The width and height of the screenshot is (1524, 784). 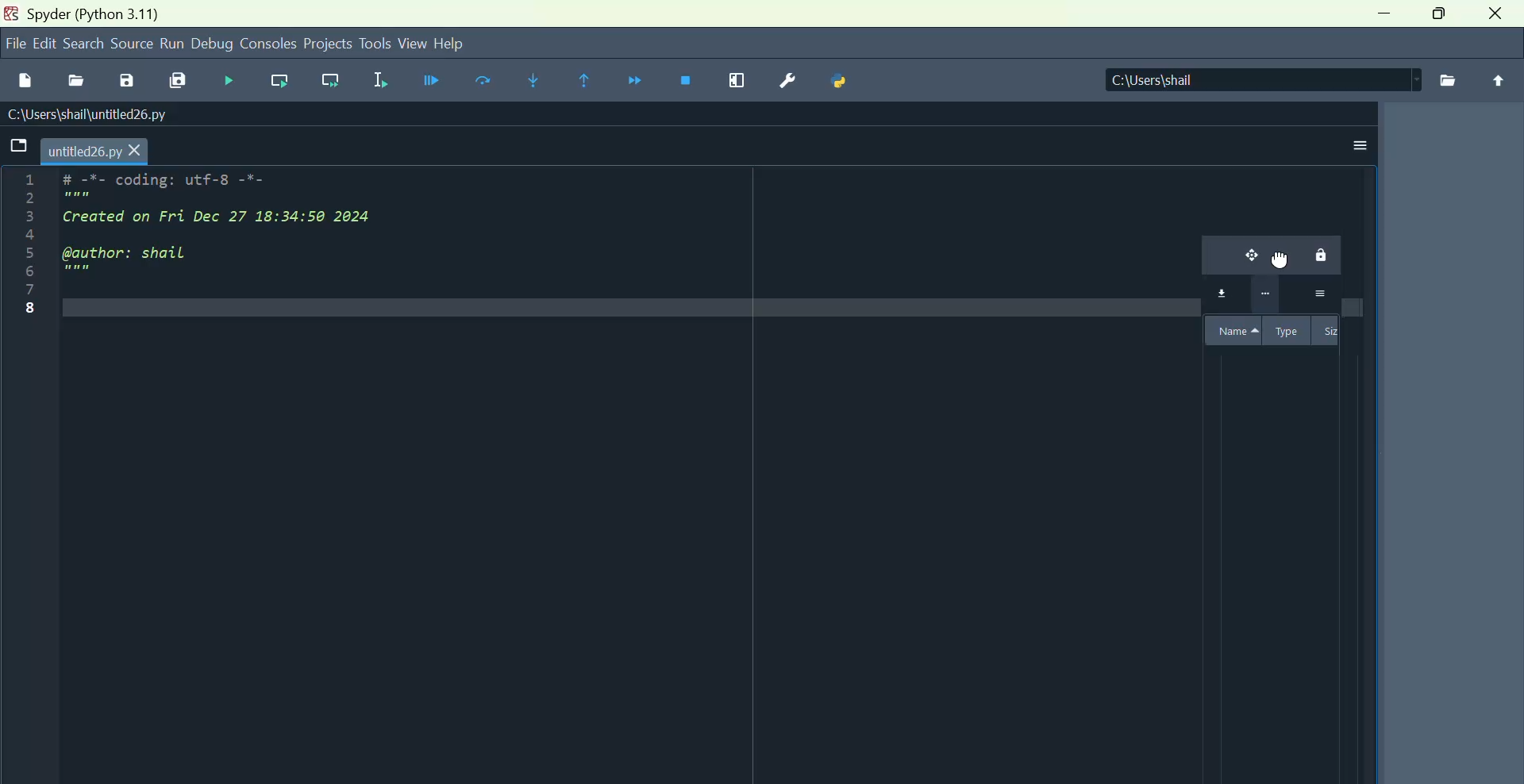 What do you see at coordinates (226, 80) in the screenshot?
I see `Debug` at bounding box center [226, 80].